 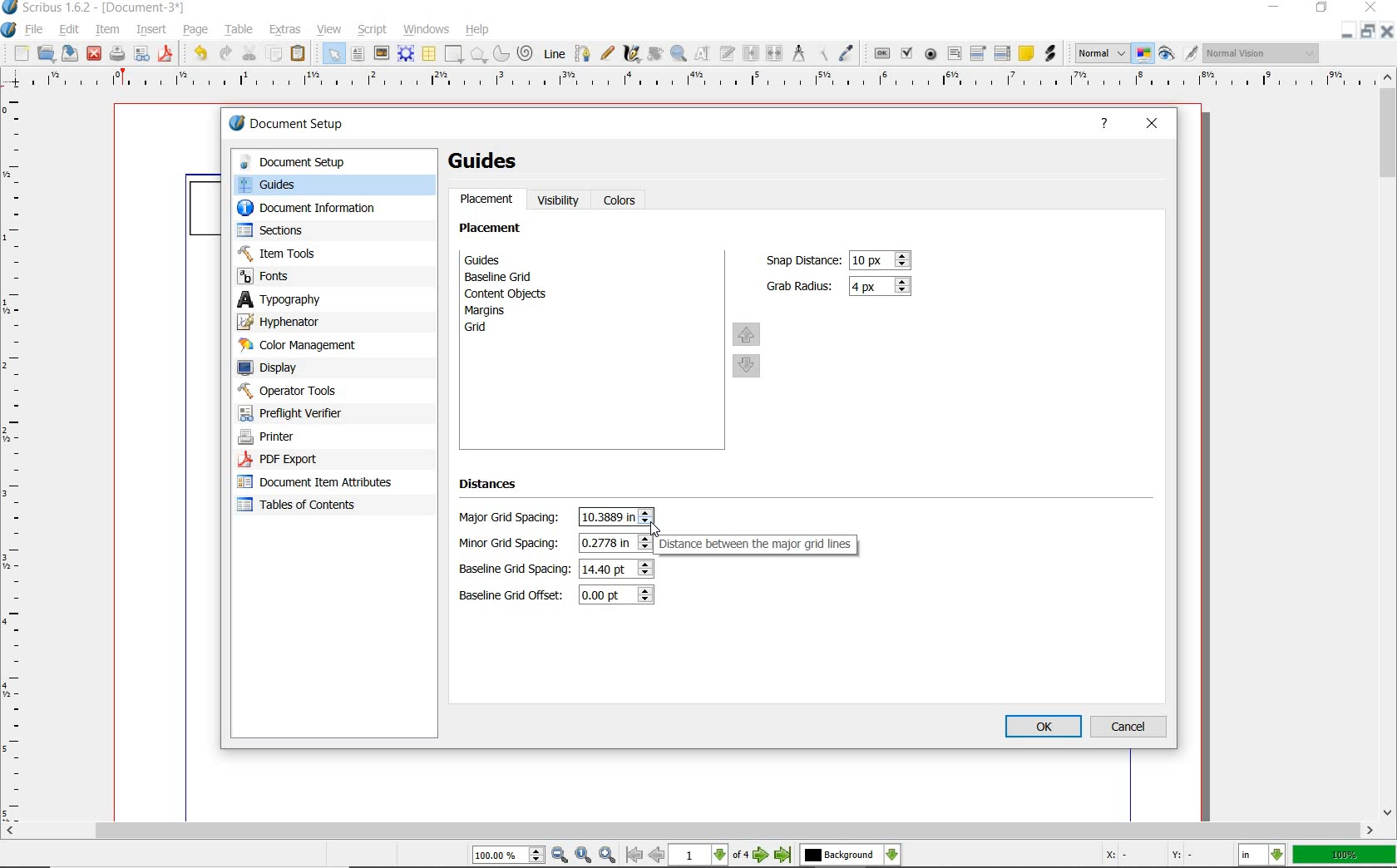 I want to click on scrollbar, so click(x=689, y=832).